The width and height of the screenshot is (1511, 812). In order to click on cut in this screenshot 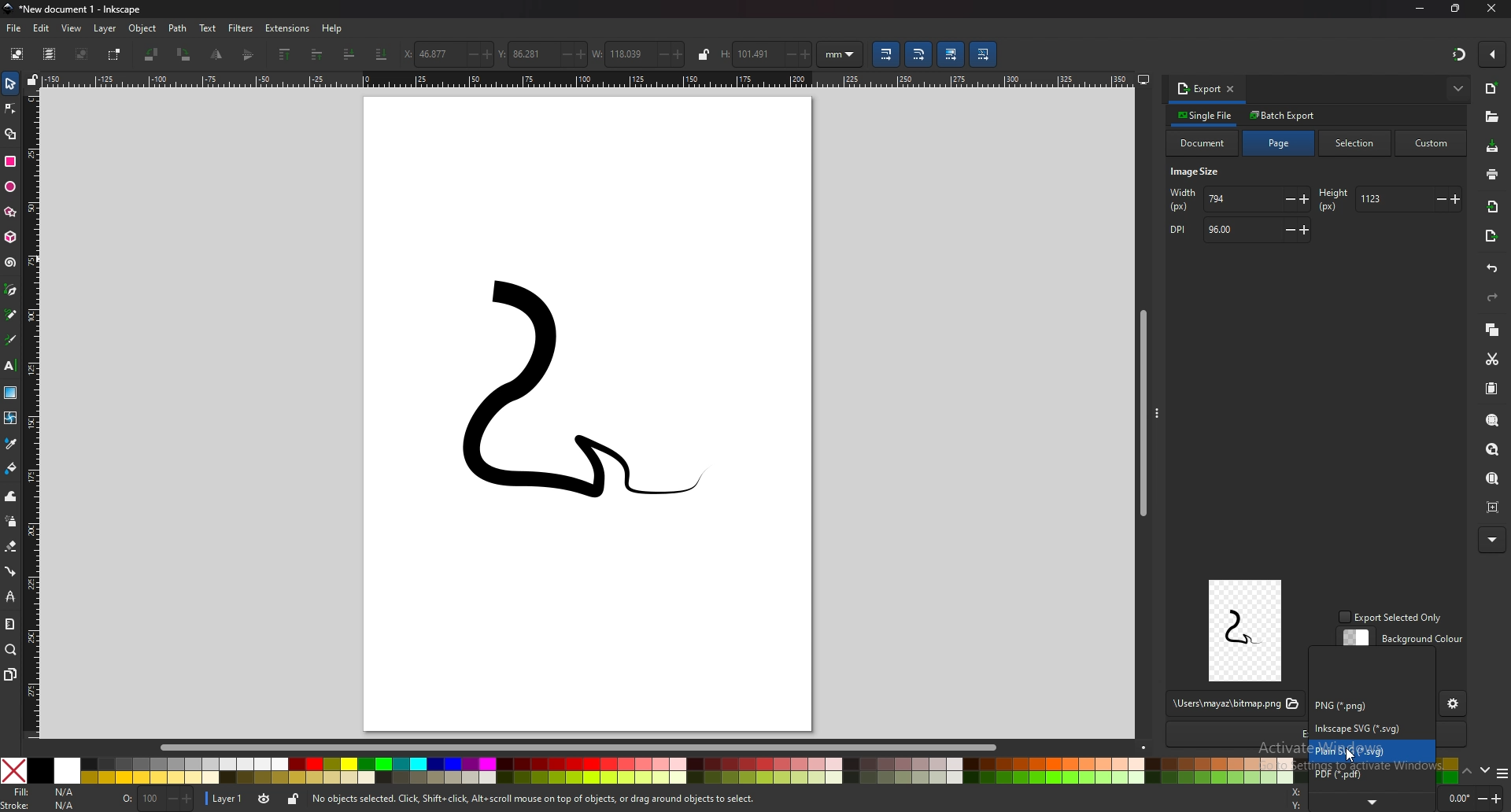, I will do `click(1493, 359)`.